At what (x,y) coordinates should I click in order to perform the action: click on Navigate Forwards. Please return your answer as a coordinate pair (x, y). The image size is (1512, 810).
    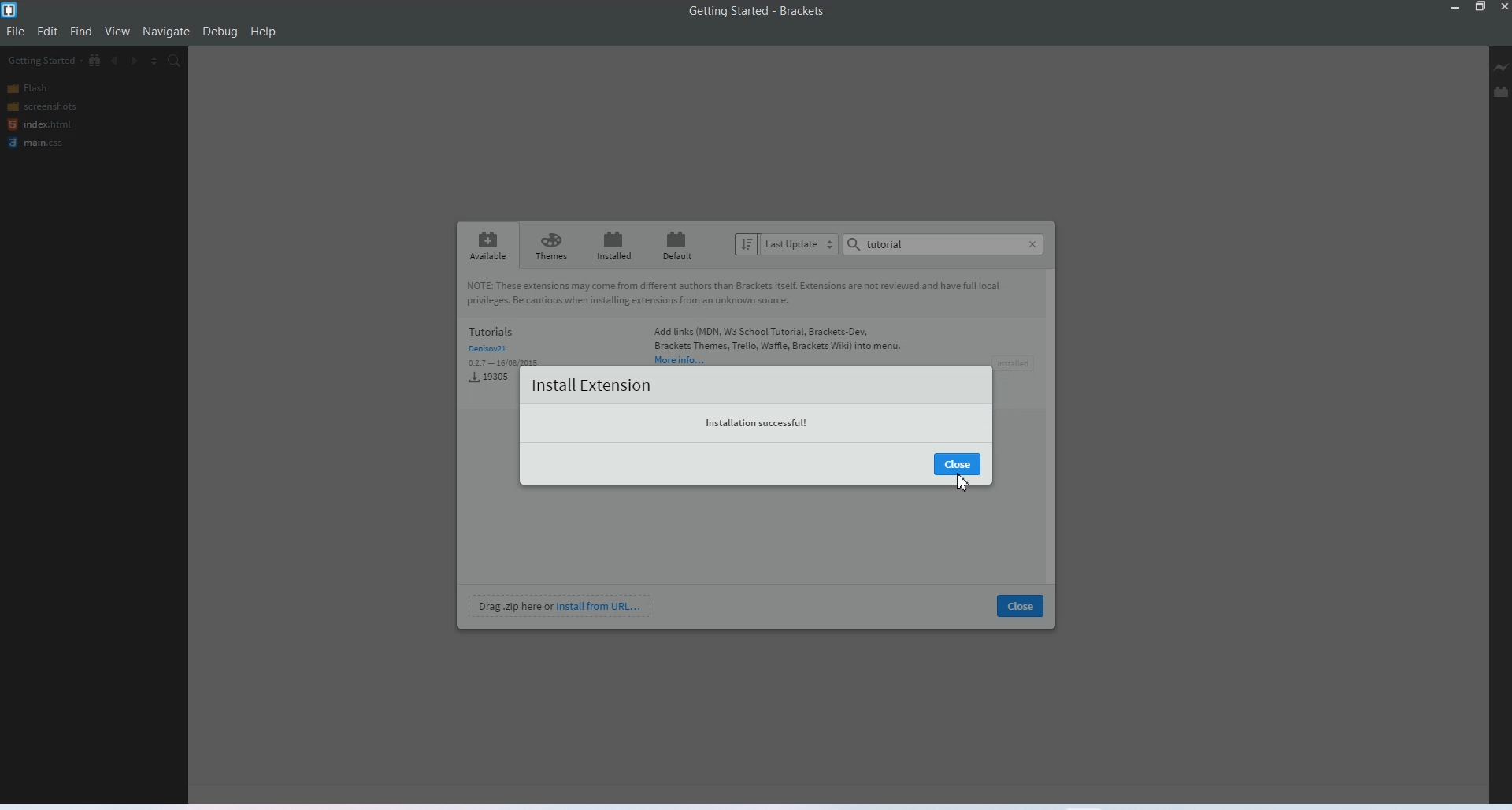
    Looking at the image, I should click on (136, 61).